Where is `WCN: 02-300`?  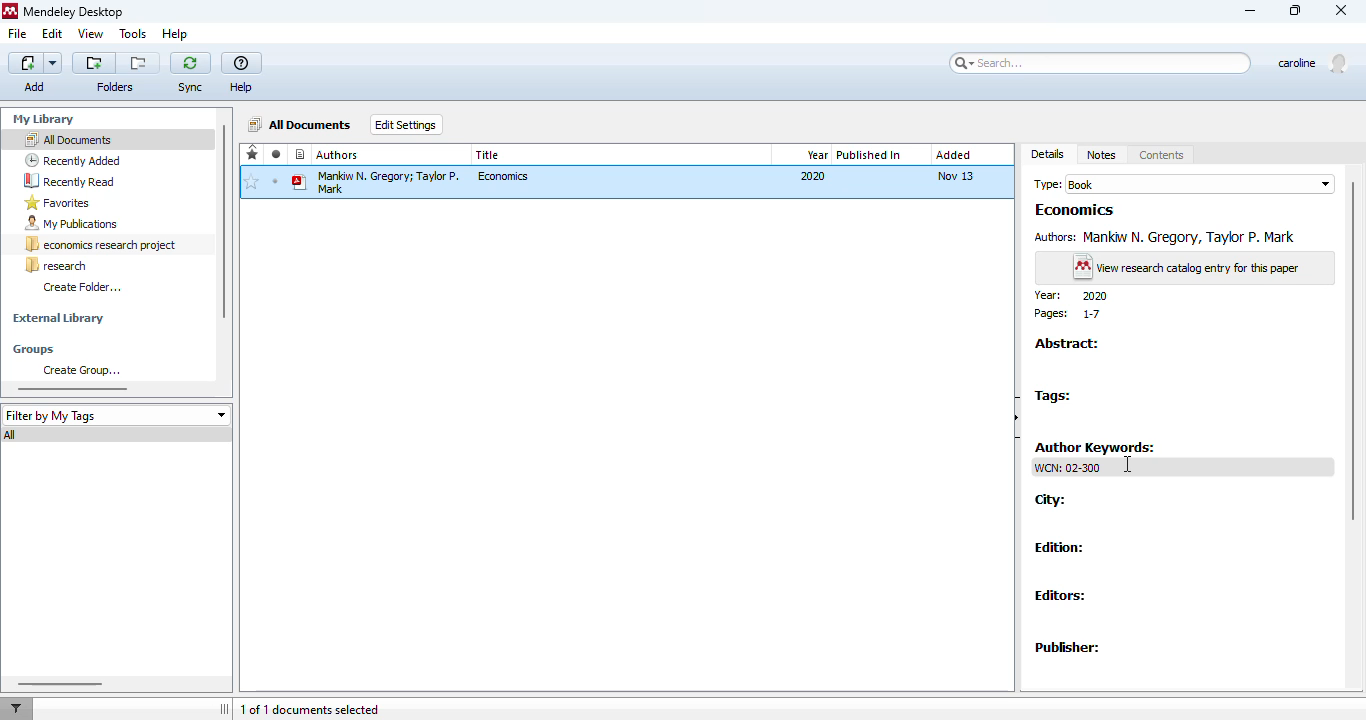
WCN: 02-300 is located at coordinates (1069, 467).